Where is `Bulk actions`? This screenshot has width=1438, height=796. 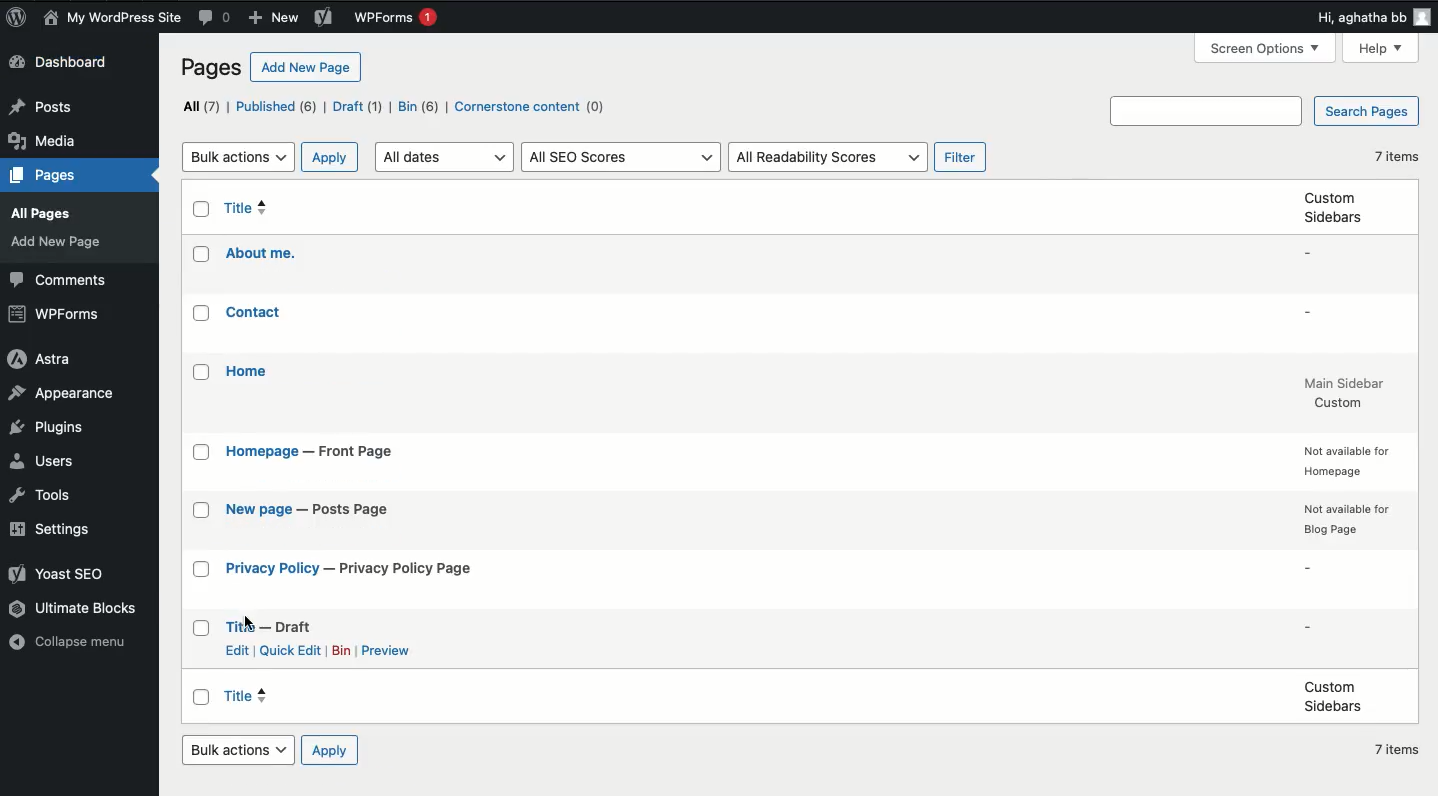 Bulk actions is located at coordinates (237, 750).